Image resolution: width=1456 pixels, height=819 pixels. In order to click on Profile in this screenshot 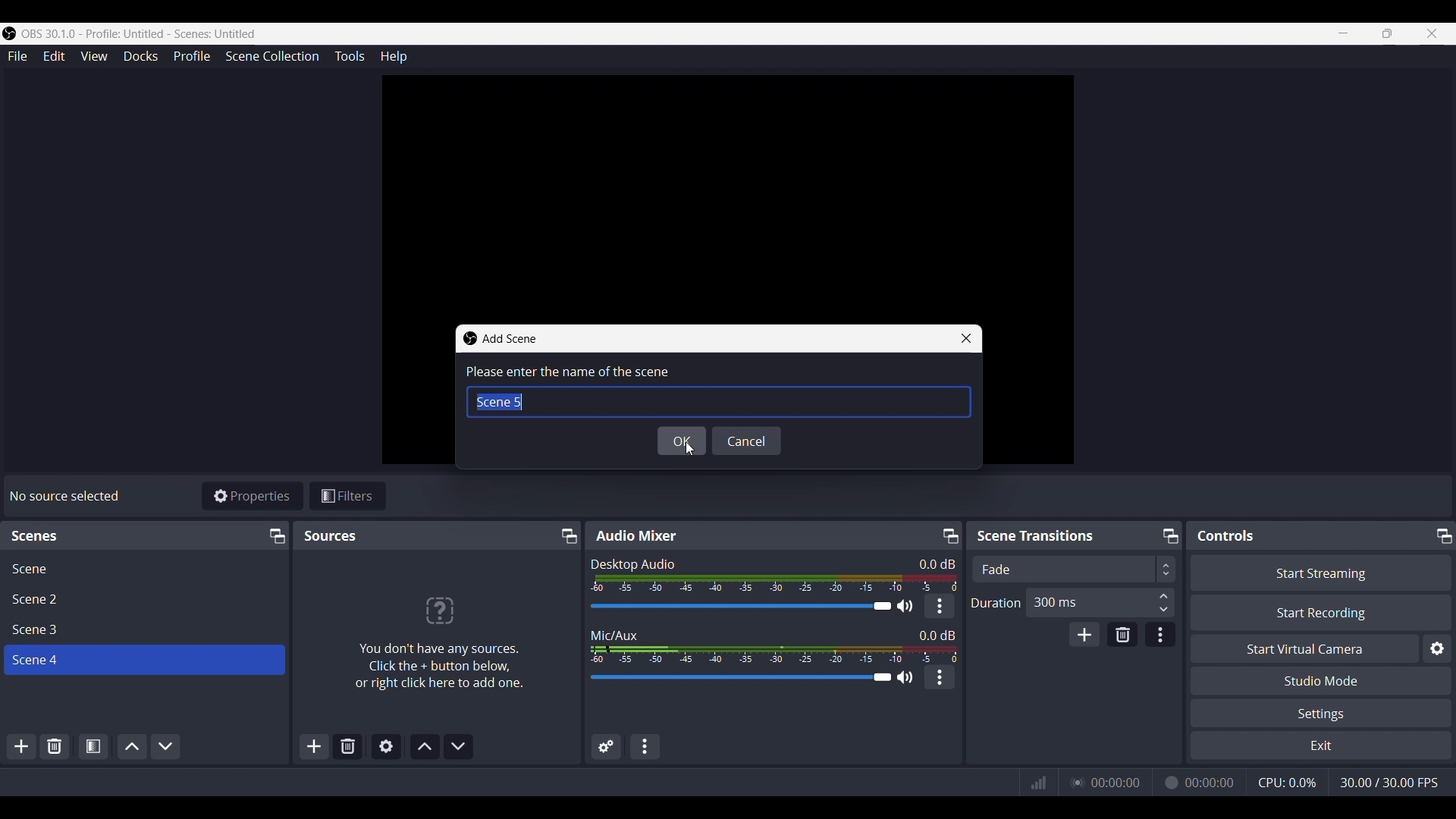, I will do `click(192, 56)`.